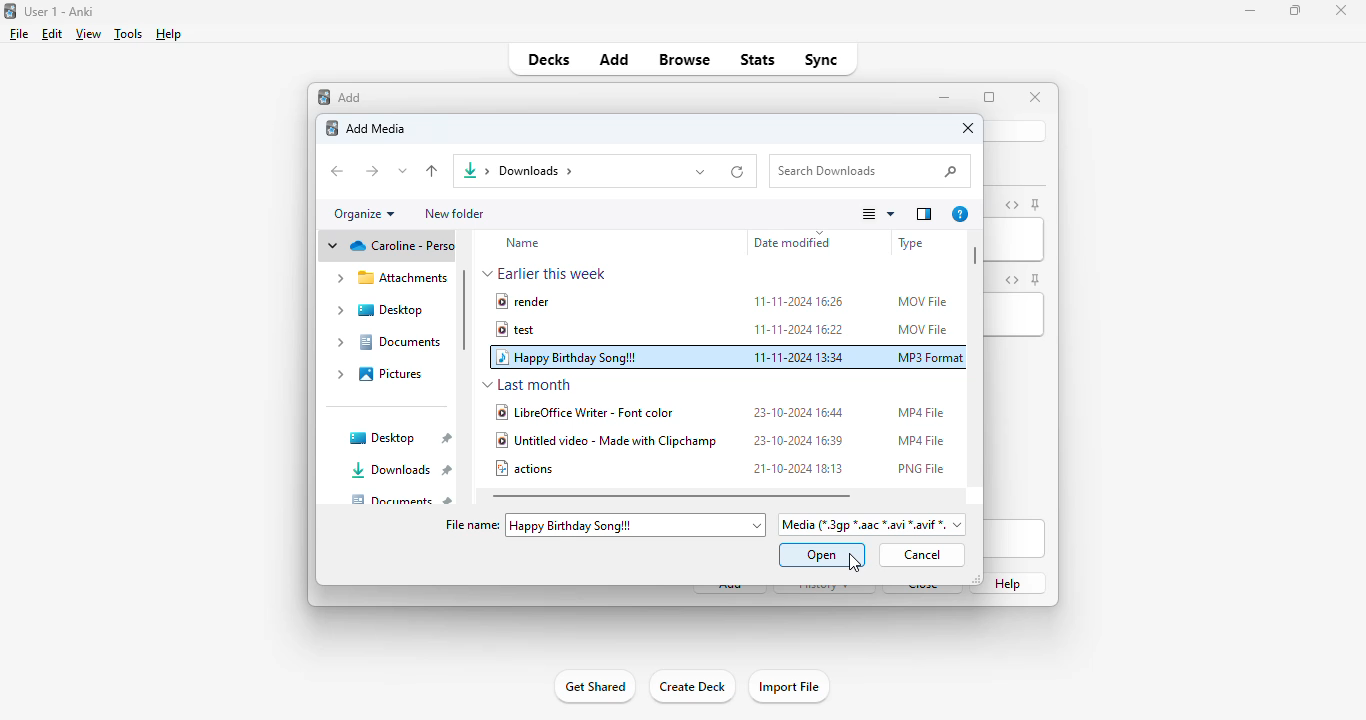 The height and width of the screenshot is (720, 1366). I want to click on refresh "downloads", so click(737, 172).